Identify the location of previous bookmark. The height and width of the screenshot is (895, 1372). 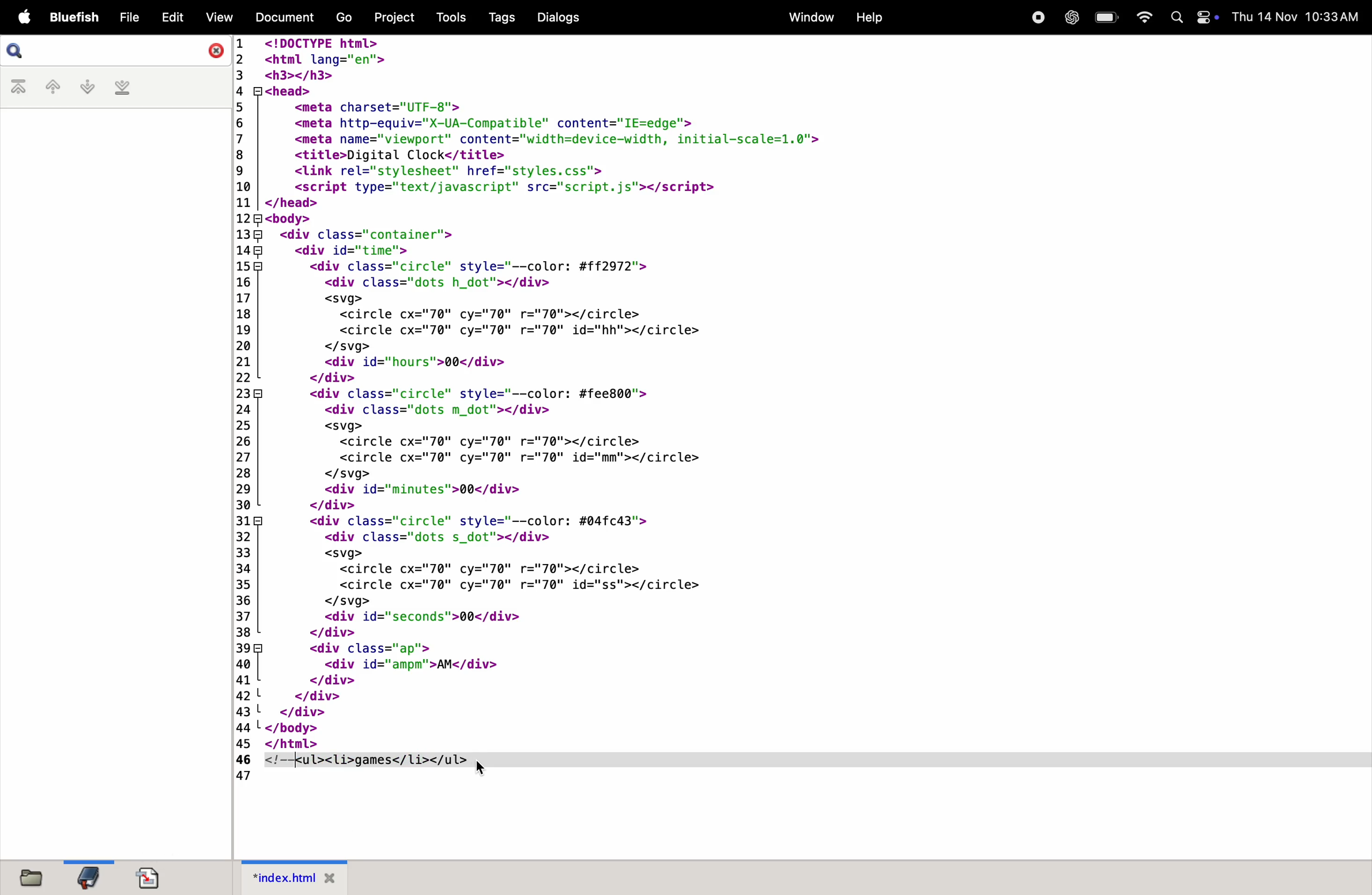
(49, 87).